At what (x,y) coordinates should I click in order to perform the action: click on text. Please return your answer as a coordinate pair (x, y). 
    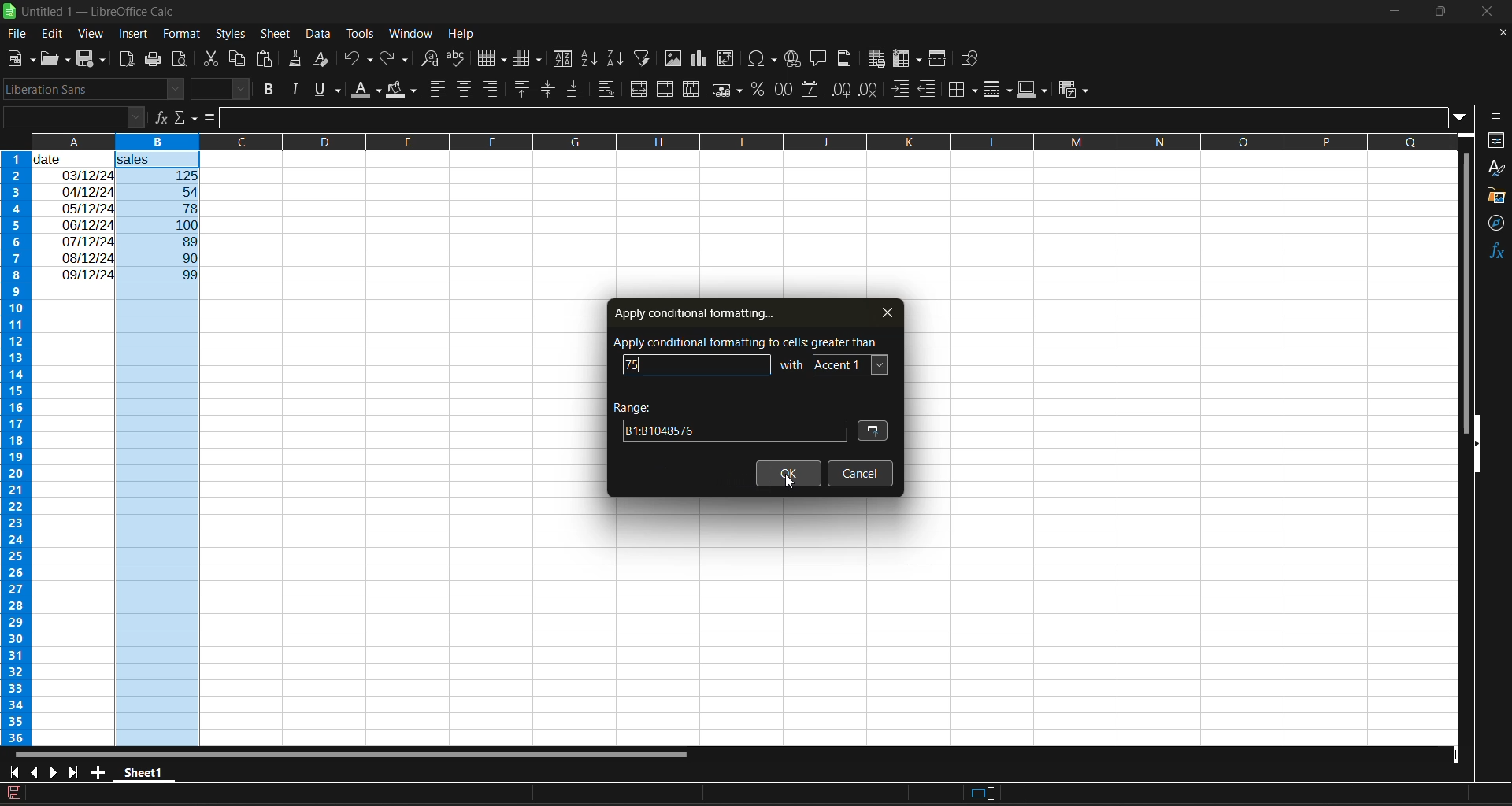
    Looking at the image, I should click on (747, 341).